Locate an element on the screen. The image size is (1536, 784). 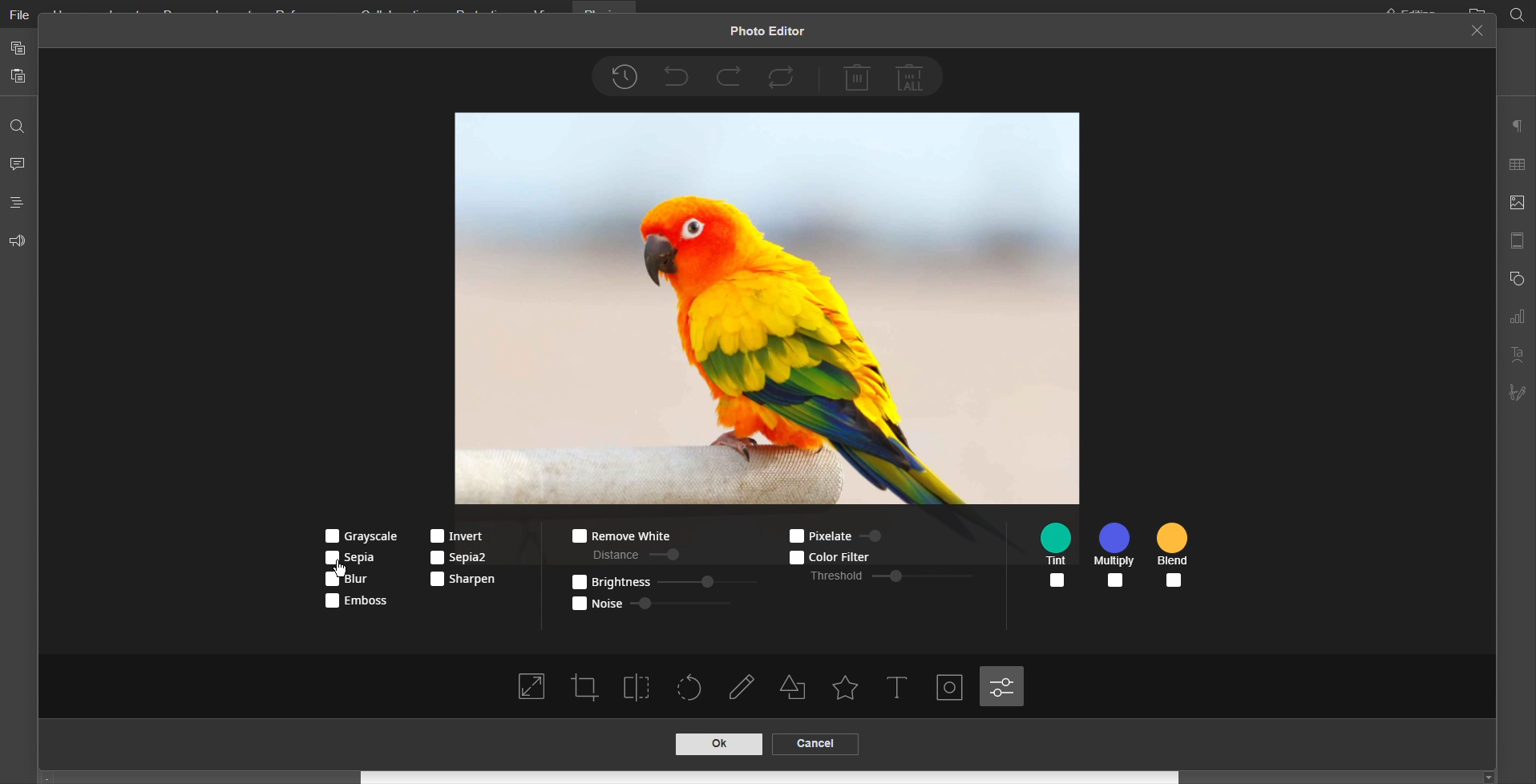
Copy is located at coordinates (18, 47).